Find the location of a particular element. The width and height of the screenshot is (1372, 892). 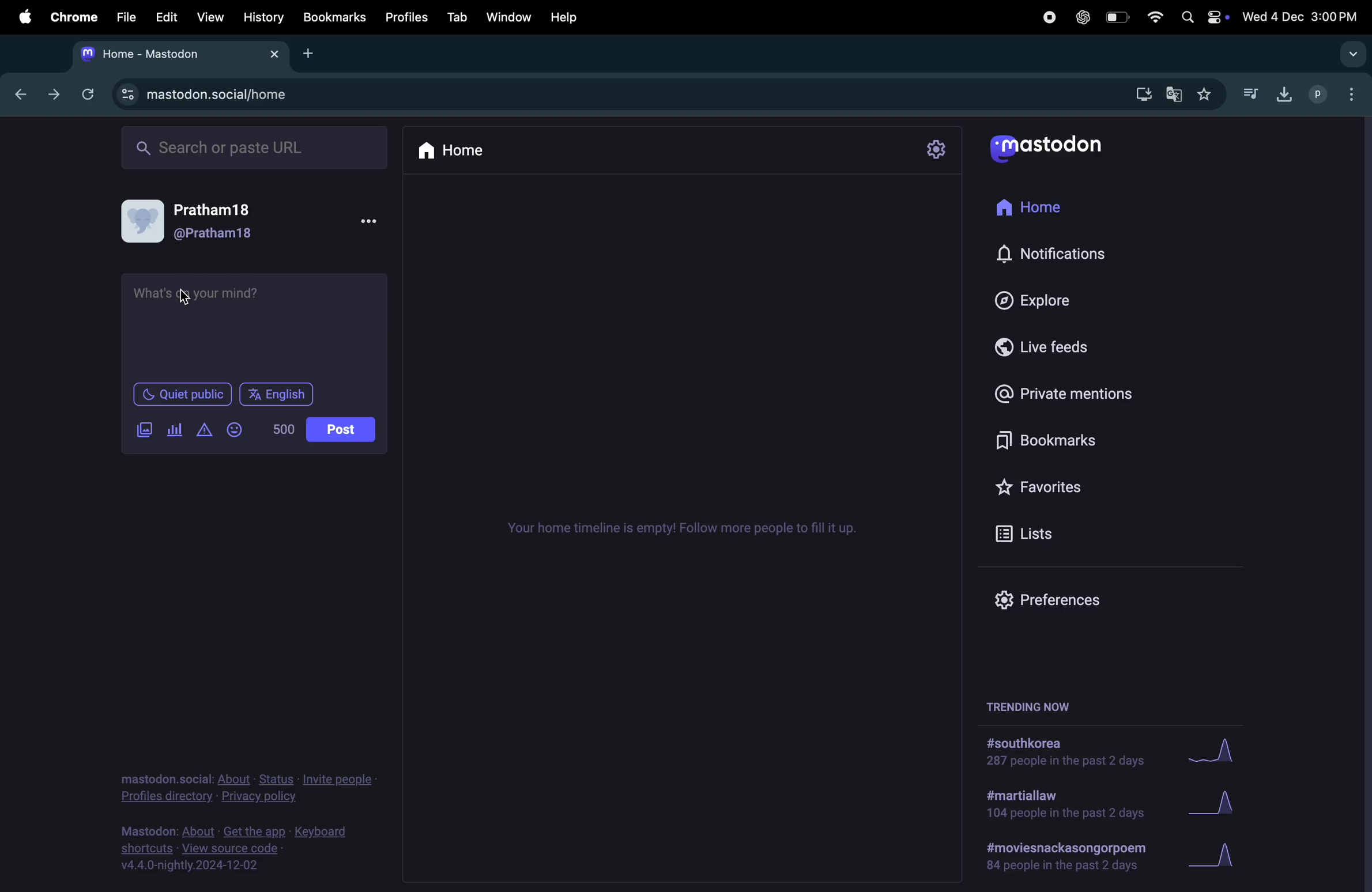

book mark is located at coordinates (334, 17).